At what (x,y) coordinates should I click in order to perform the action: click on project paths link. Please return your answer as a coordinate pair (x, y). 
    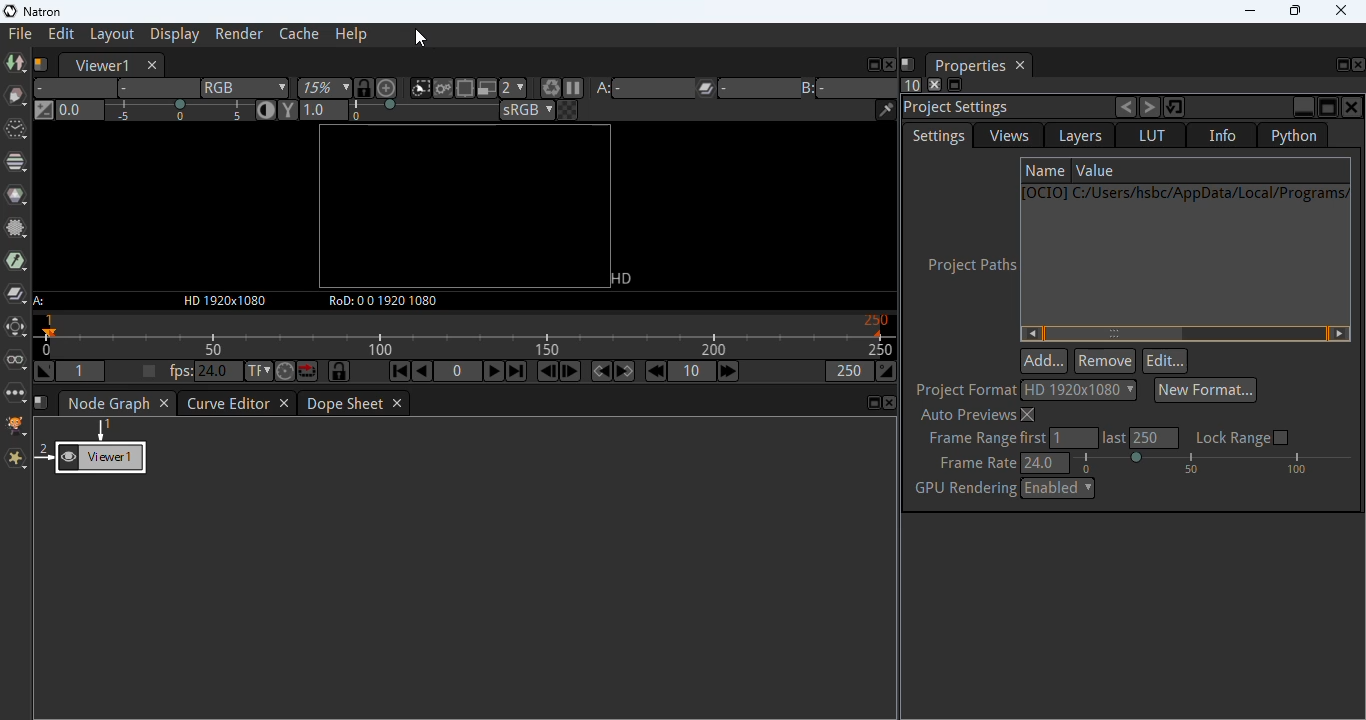
    Looking at the image, I should click on (1187, 255).